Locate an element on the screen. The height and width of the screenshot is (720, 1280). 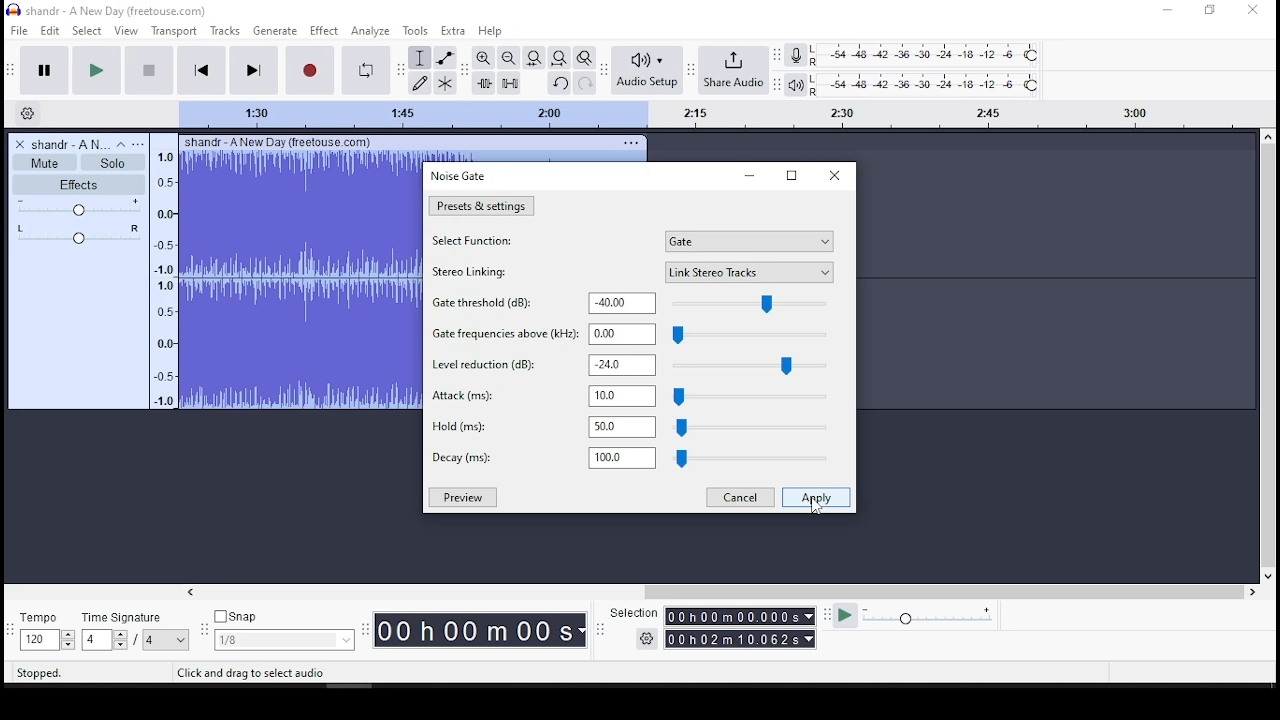
scroll bar is located at coordinates (720, 590).